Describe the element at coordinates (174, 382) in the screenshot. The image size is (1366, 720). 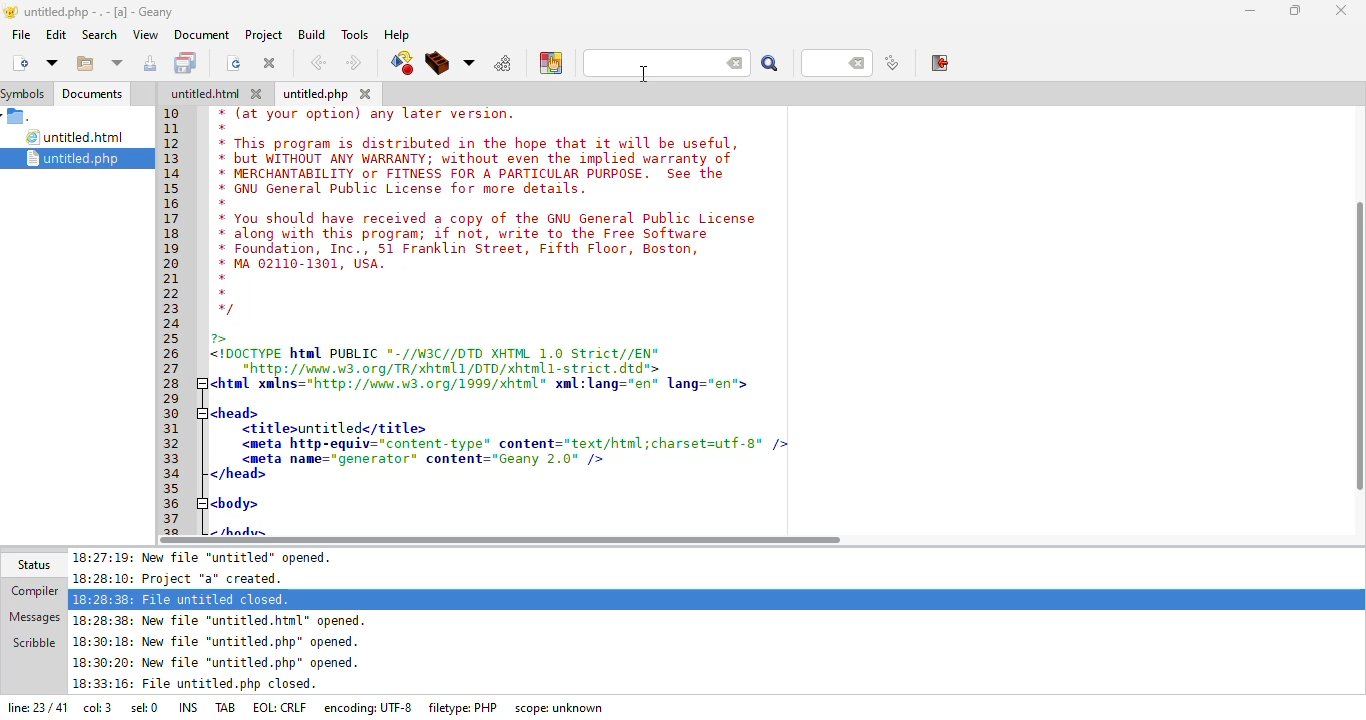
I see `28` at that location.